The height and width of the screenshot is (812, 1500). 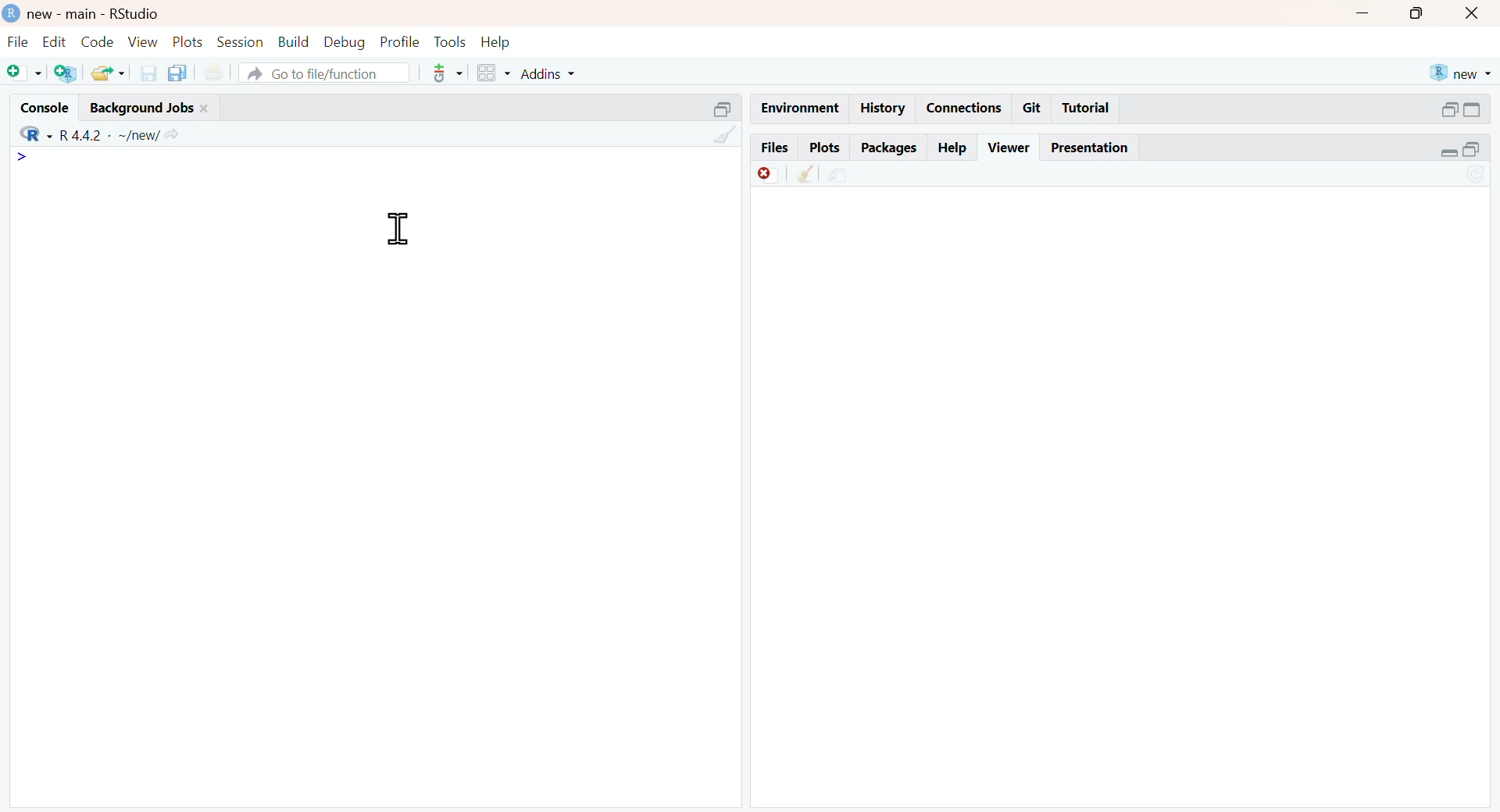 I want to click on Help, so click(x=503, y=40).